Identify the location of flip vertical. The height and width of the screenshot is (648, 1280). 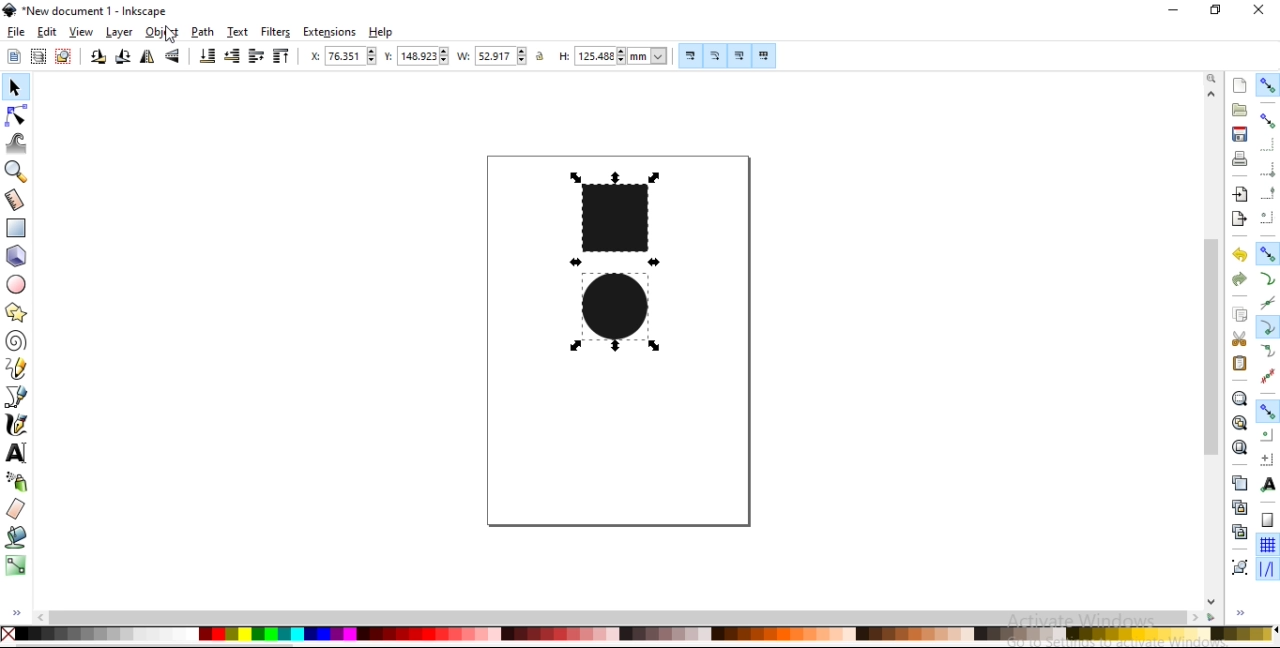
(172, 58).